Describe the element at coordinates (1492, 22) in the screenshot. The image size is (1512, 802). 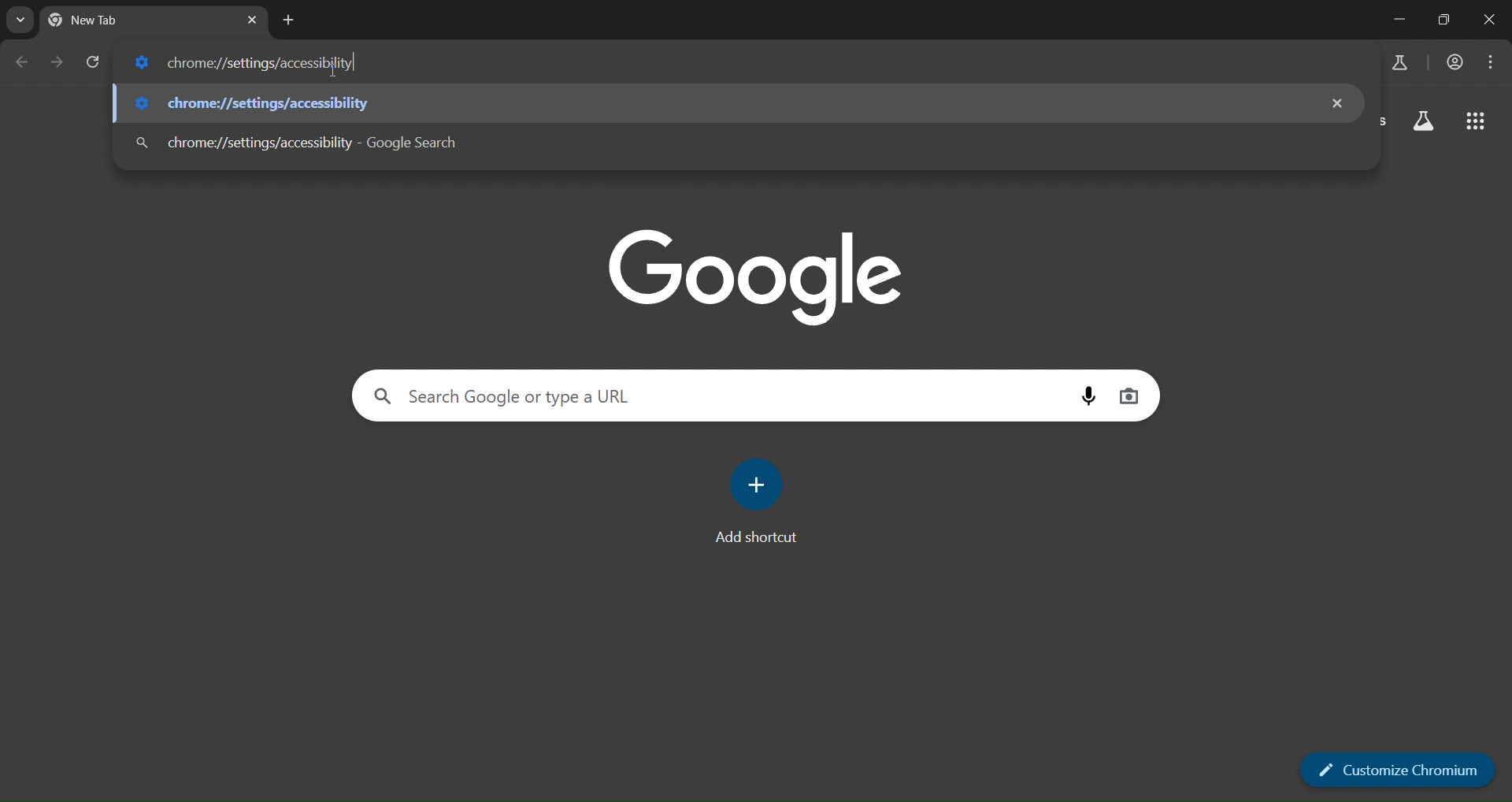
I see `close` at that location.